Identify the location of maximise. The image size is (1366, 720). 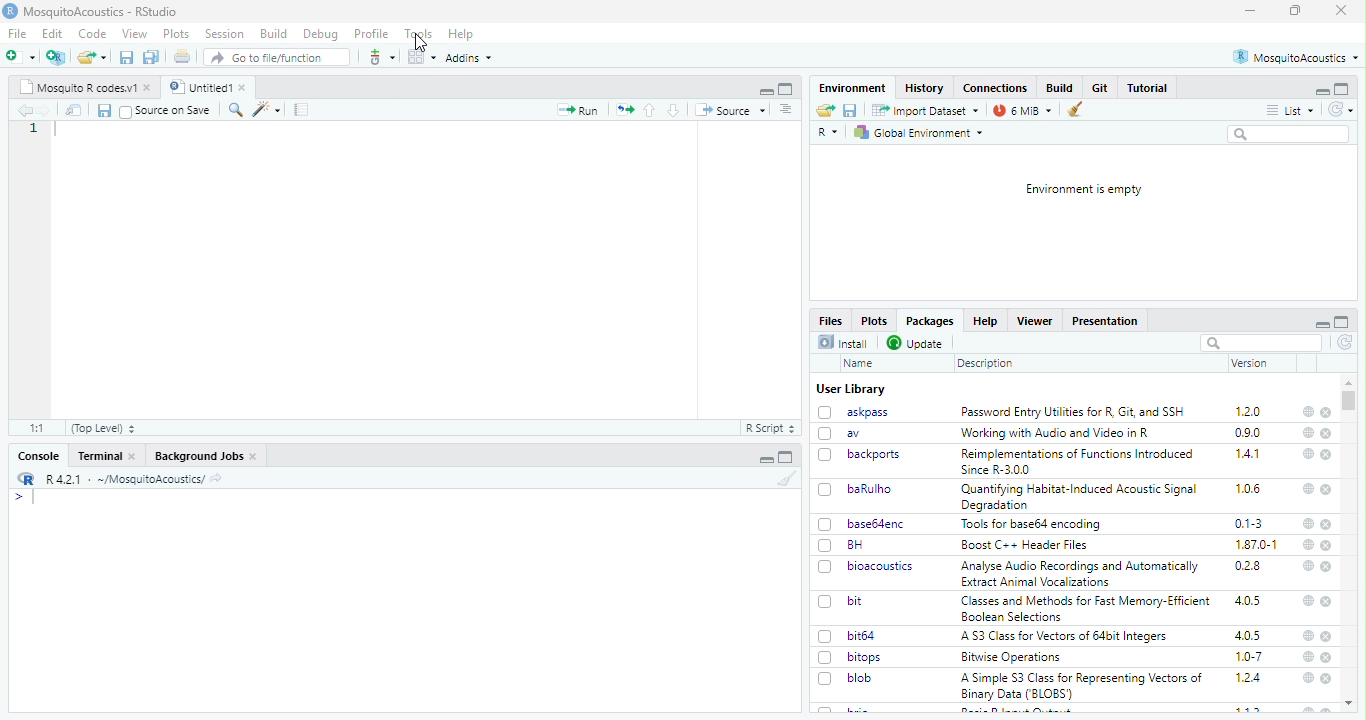
(1295, 10).